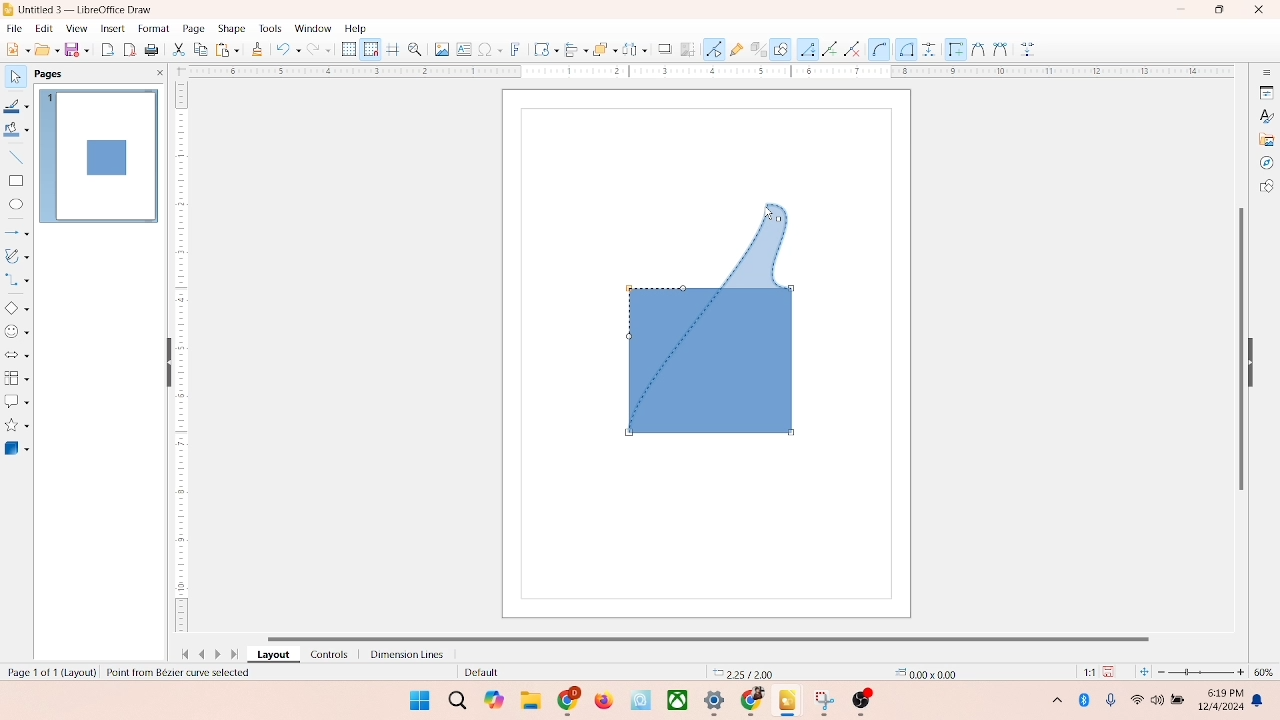 The width and height of the screenshot is (1280, 720). I want to click on pages, so click(47, 72).